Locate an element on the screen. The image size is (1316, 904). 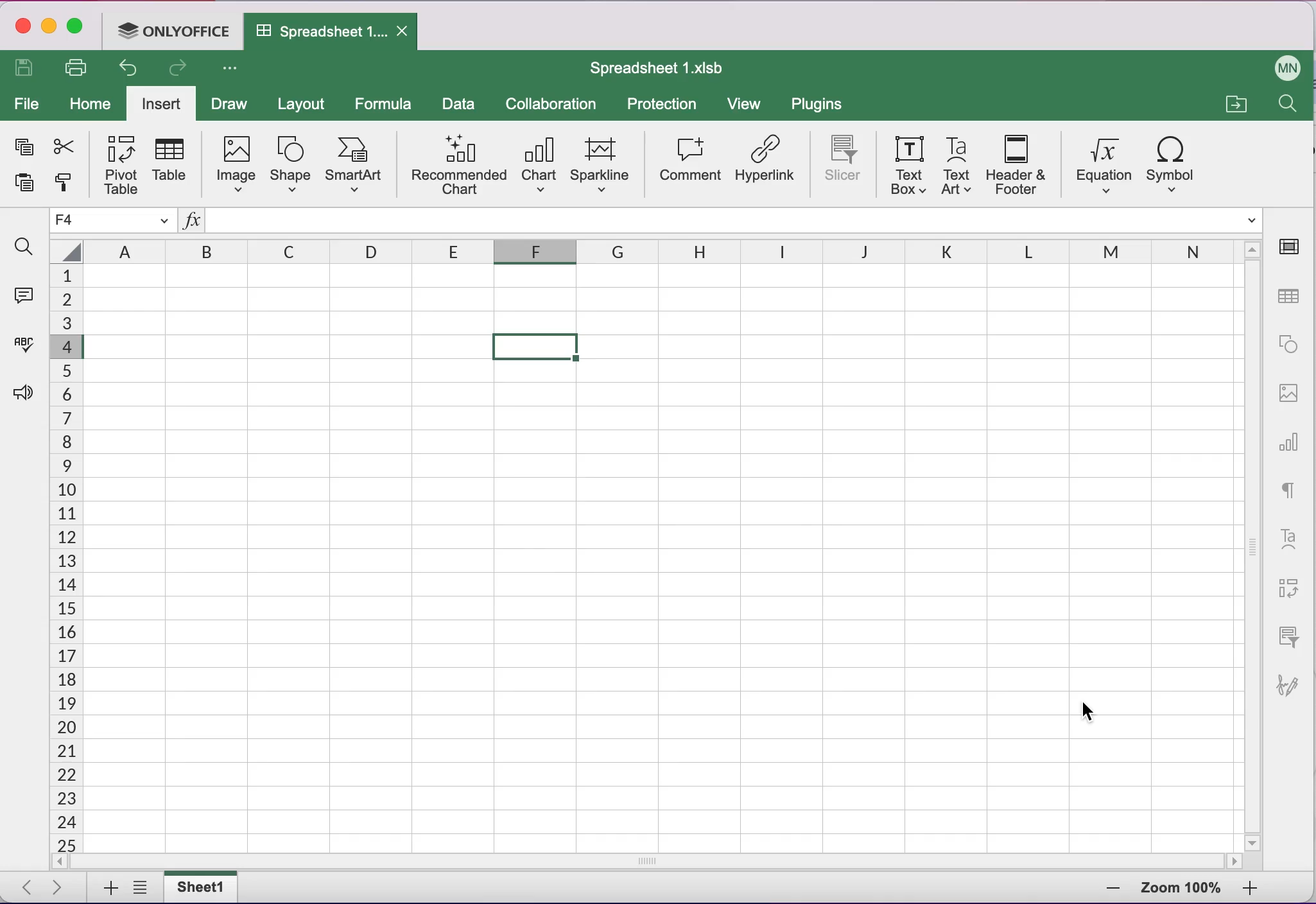
text box is located at coordinates (909, 166).